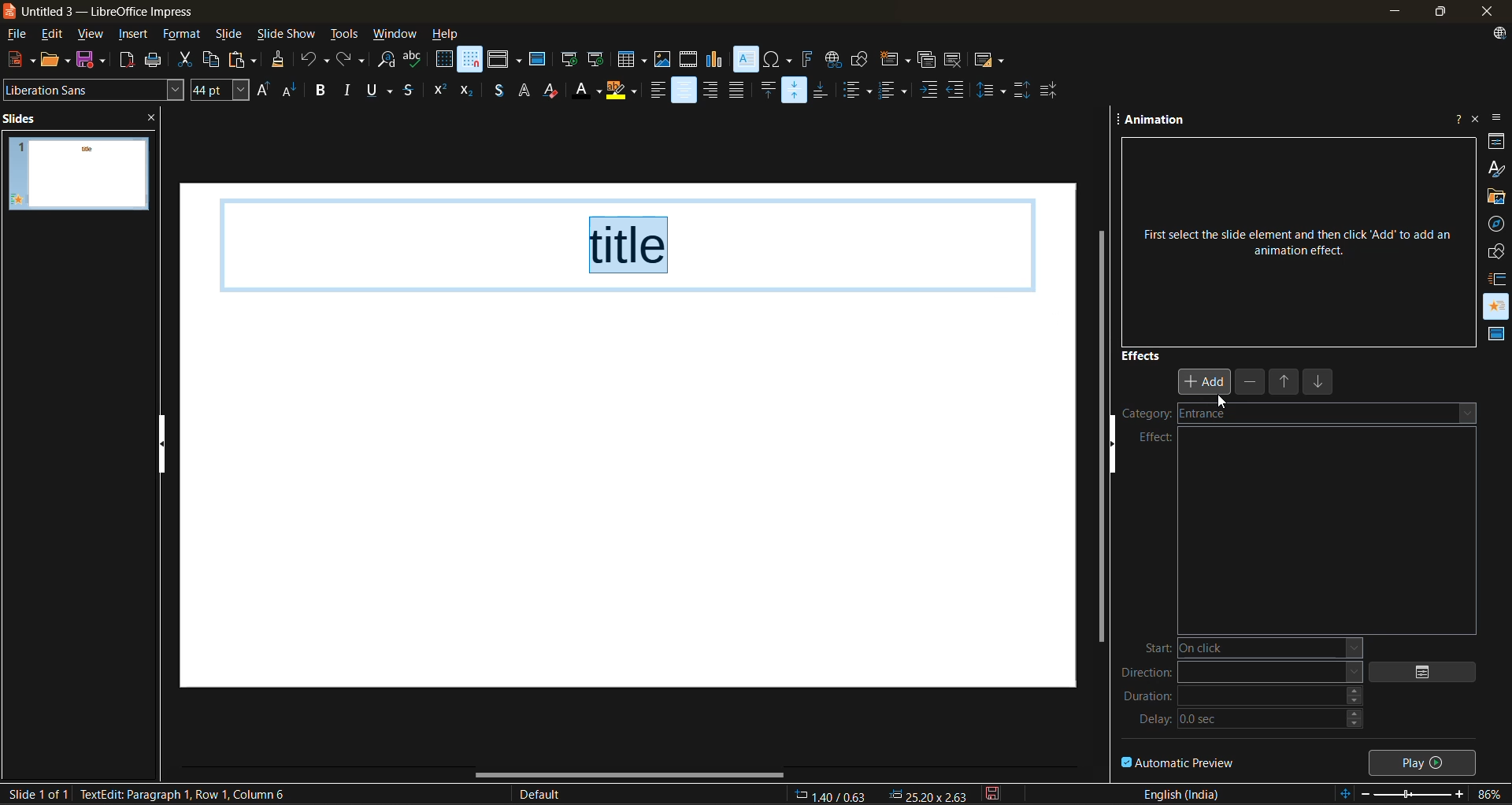  Describe the element at coordinates (1484, 12) in the screenshot. I see `close` at that location.